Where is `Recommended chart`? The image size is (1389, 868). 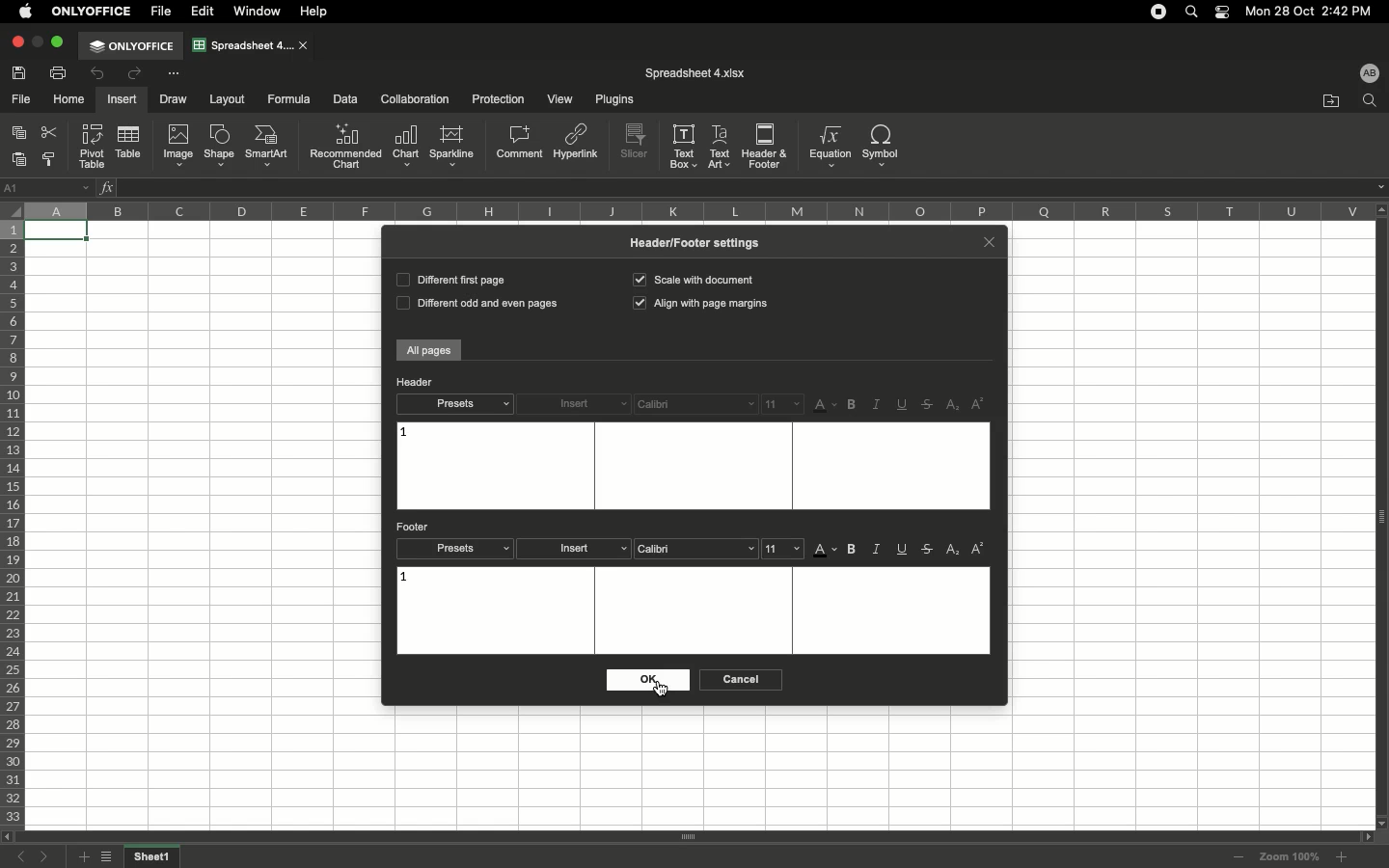 Recommended chart is located at coordinates (345, 146).